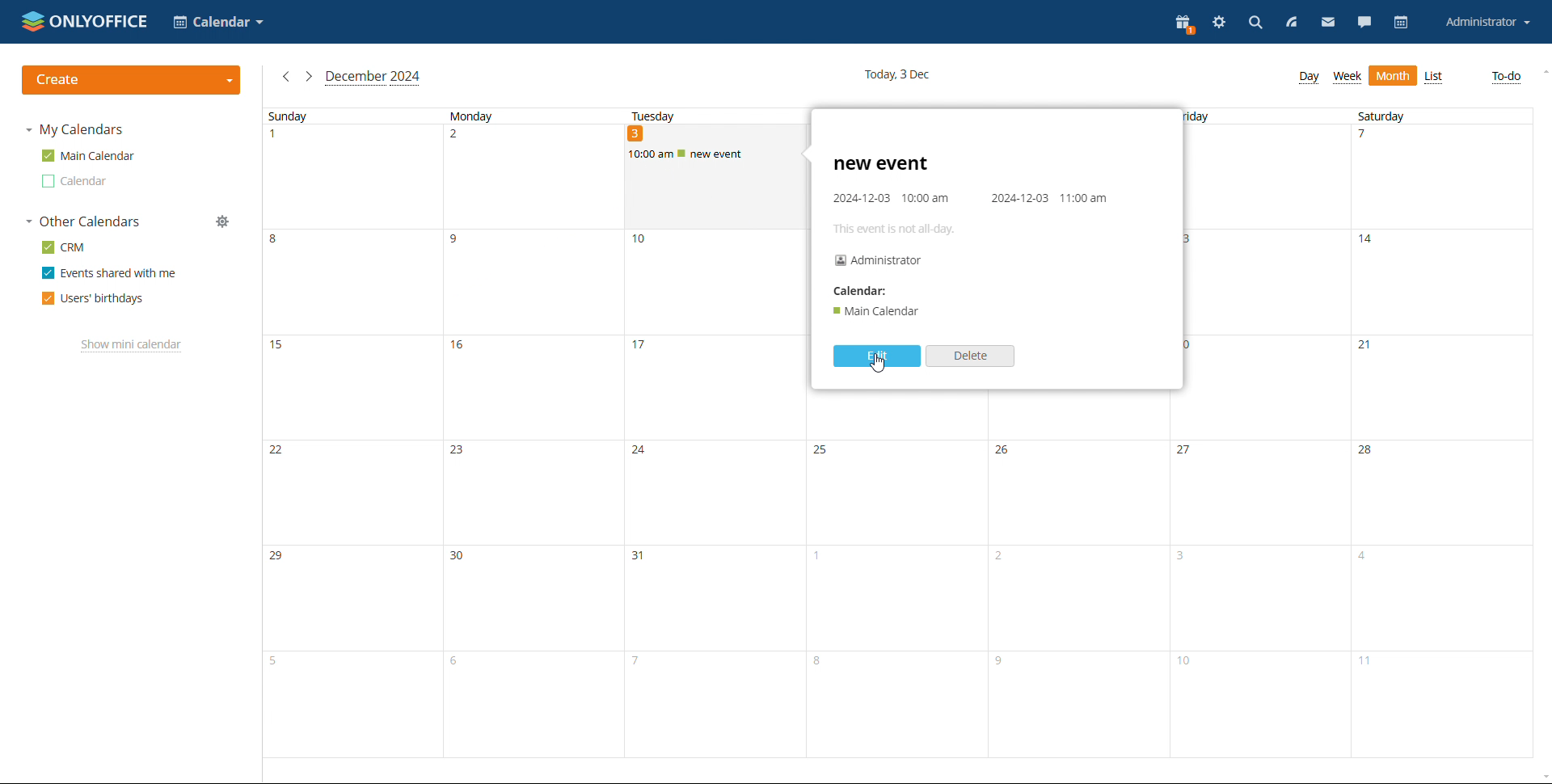 The width and height of the screenshot is (1552, 784). I want to click on 15, so click(352, 387).